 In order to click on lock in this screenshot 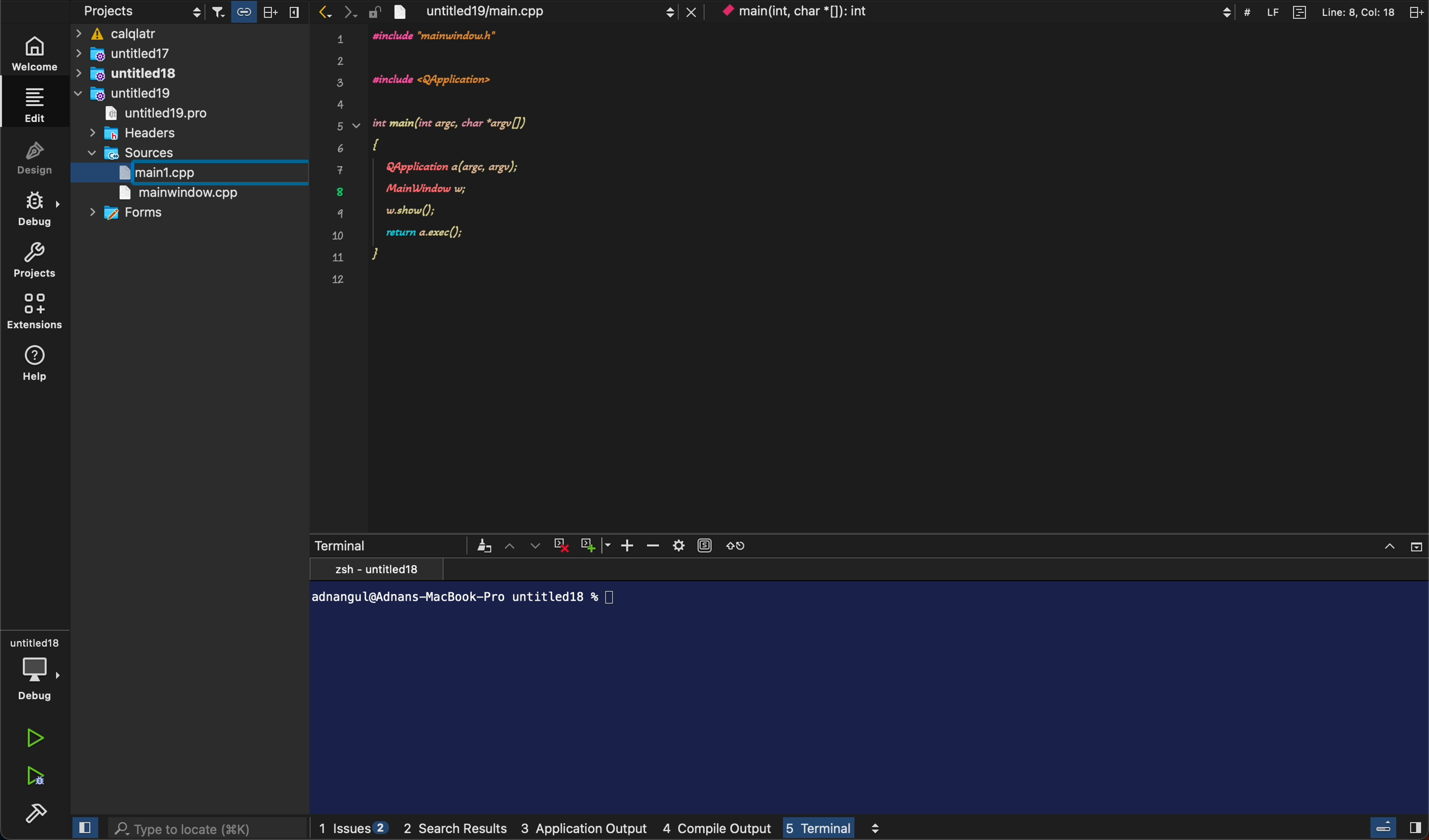, I will do `click(374, 12)`.